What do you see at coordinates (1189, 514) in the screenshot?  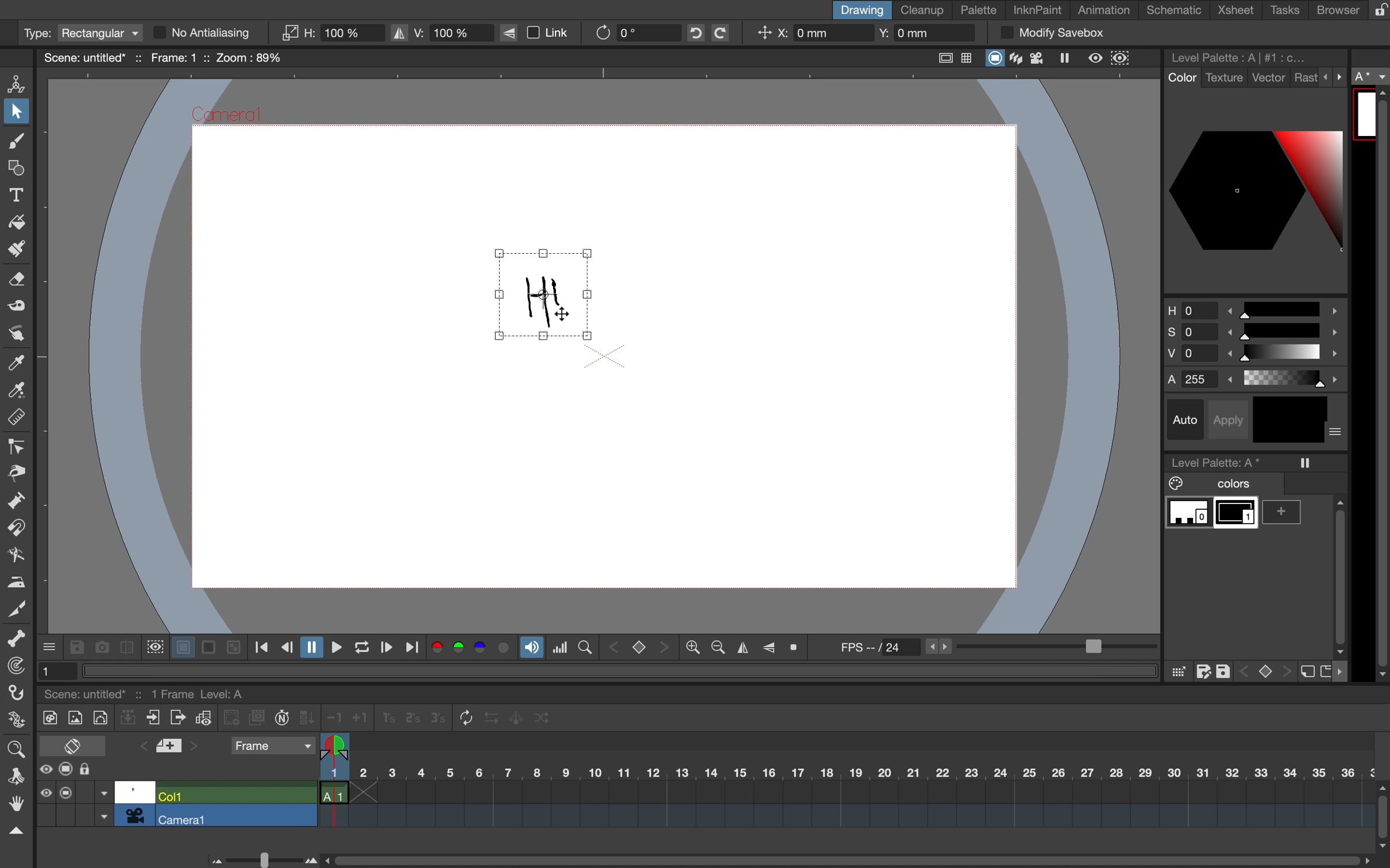 I see `color 0` at bounding box center [1189, 514].